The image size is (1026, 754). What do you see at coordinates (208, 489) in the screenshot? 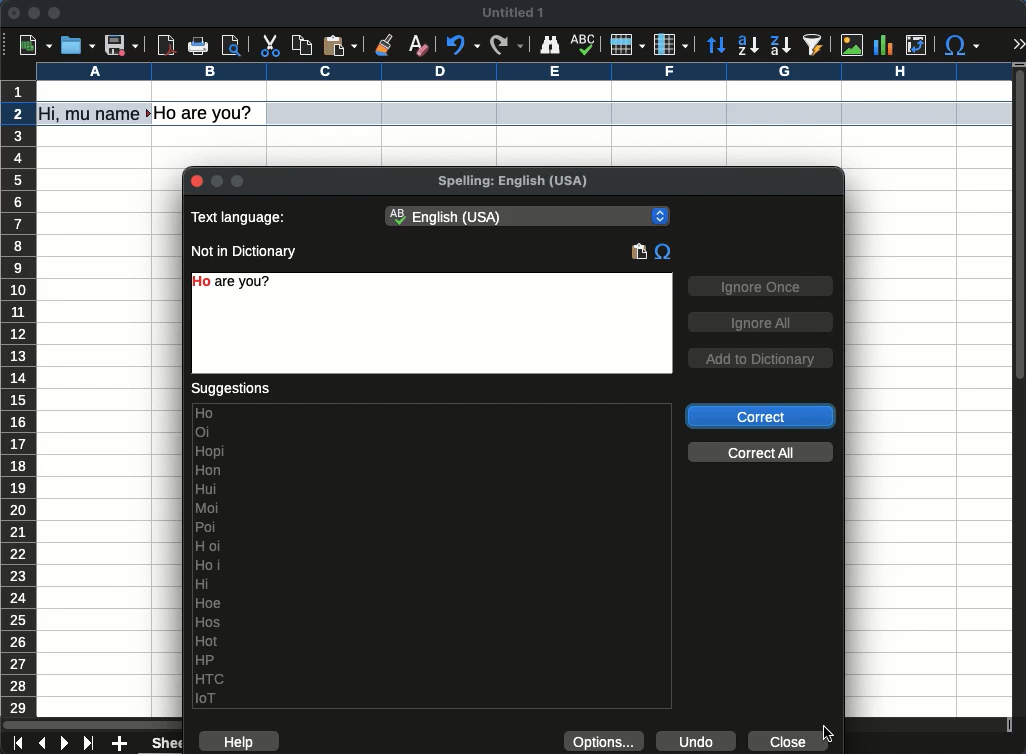
I see `Hui` at bounding box center [208, 489].